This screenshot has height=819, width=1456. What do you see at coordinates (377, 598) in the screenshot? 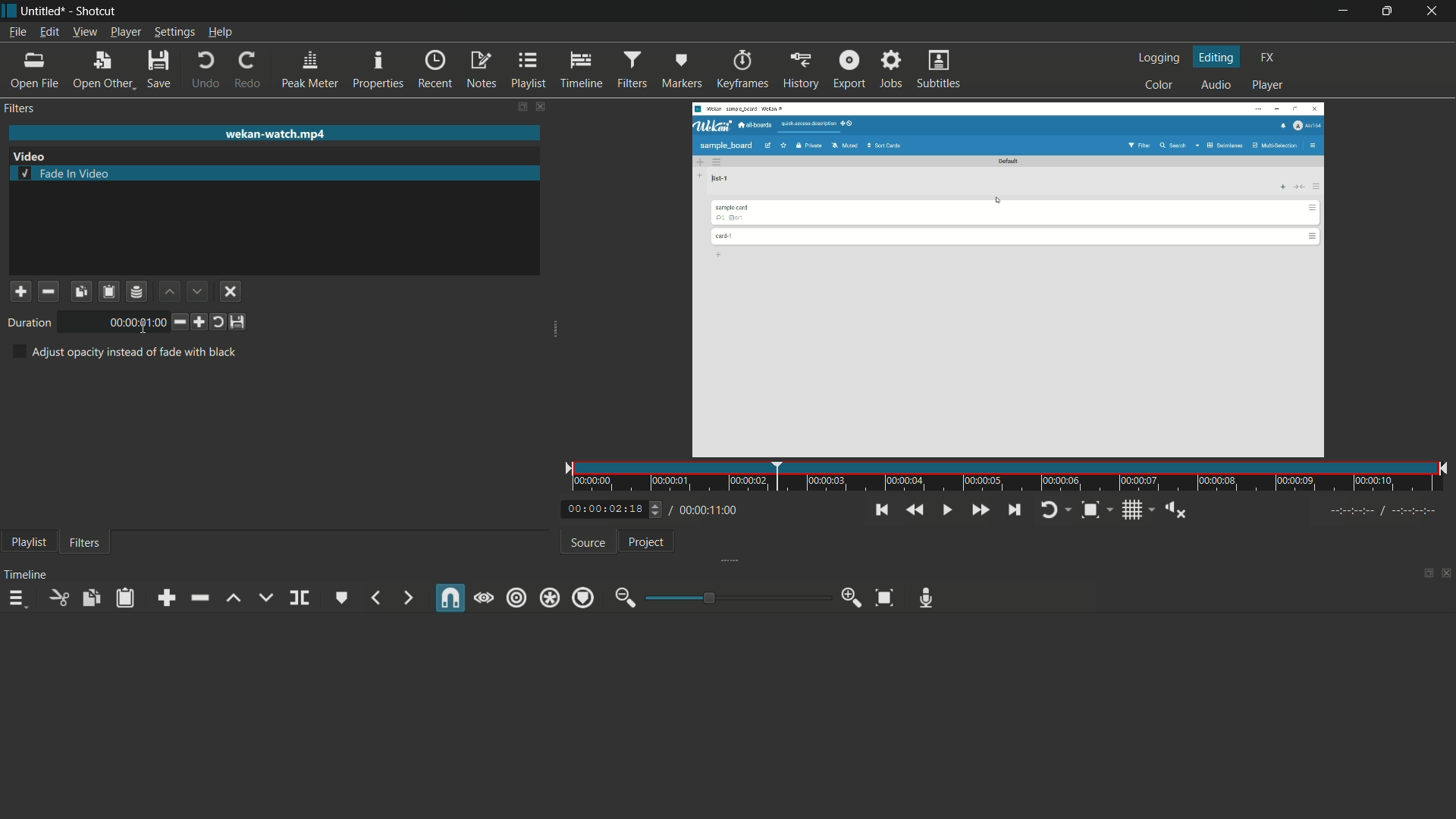
I see `previous marker` at bounding box center [377, 598].